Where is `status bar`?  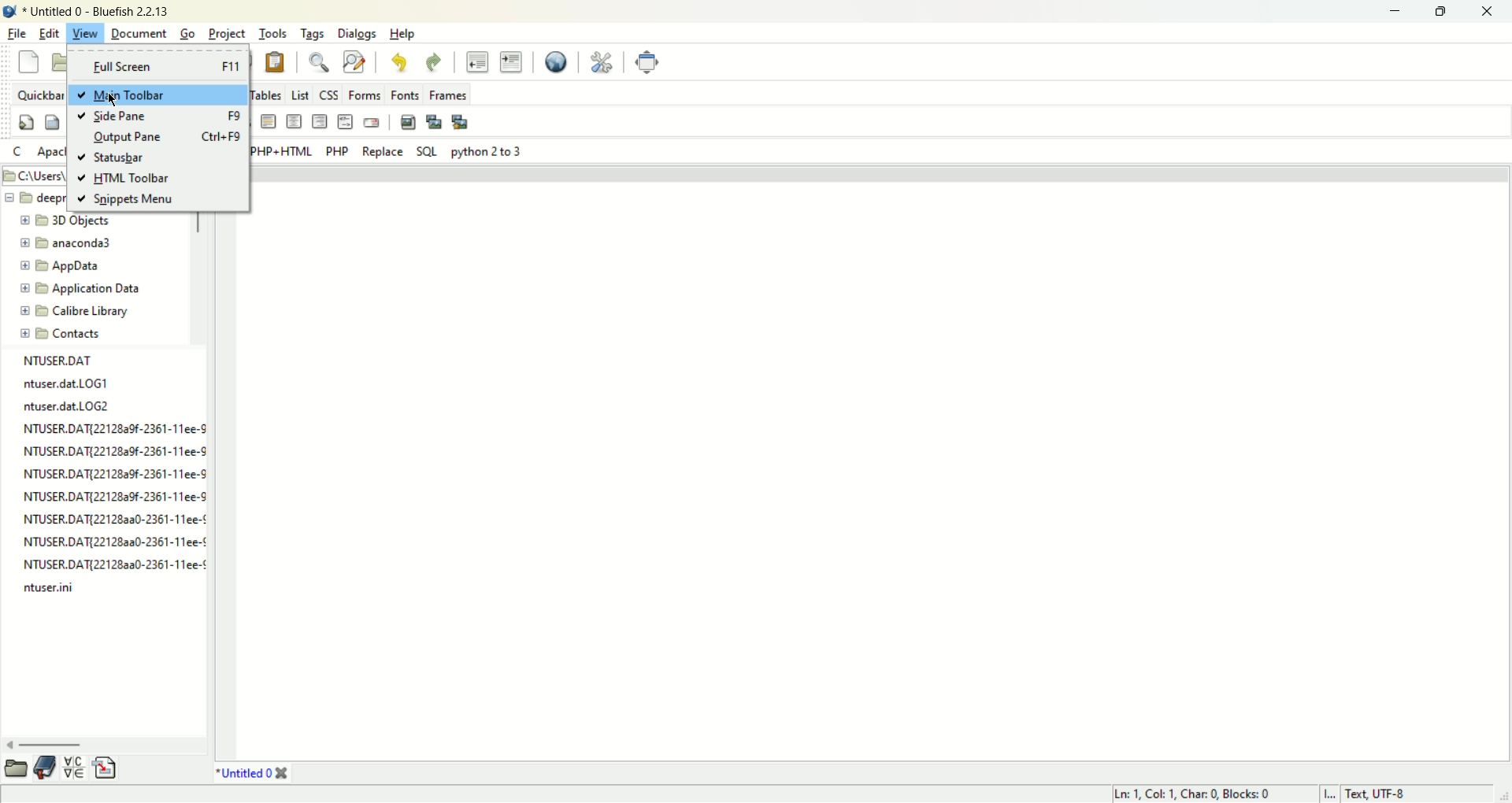 status bar is located at coordinates (115, 158).